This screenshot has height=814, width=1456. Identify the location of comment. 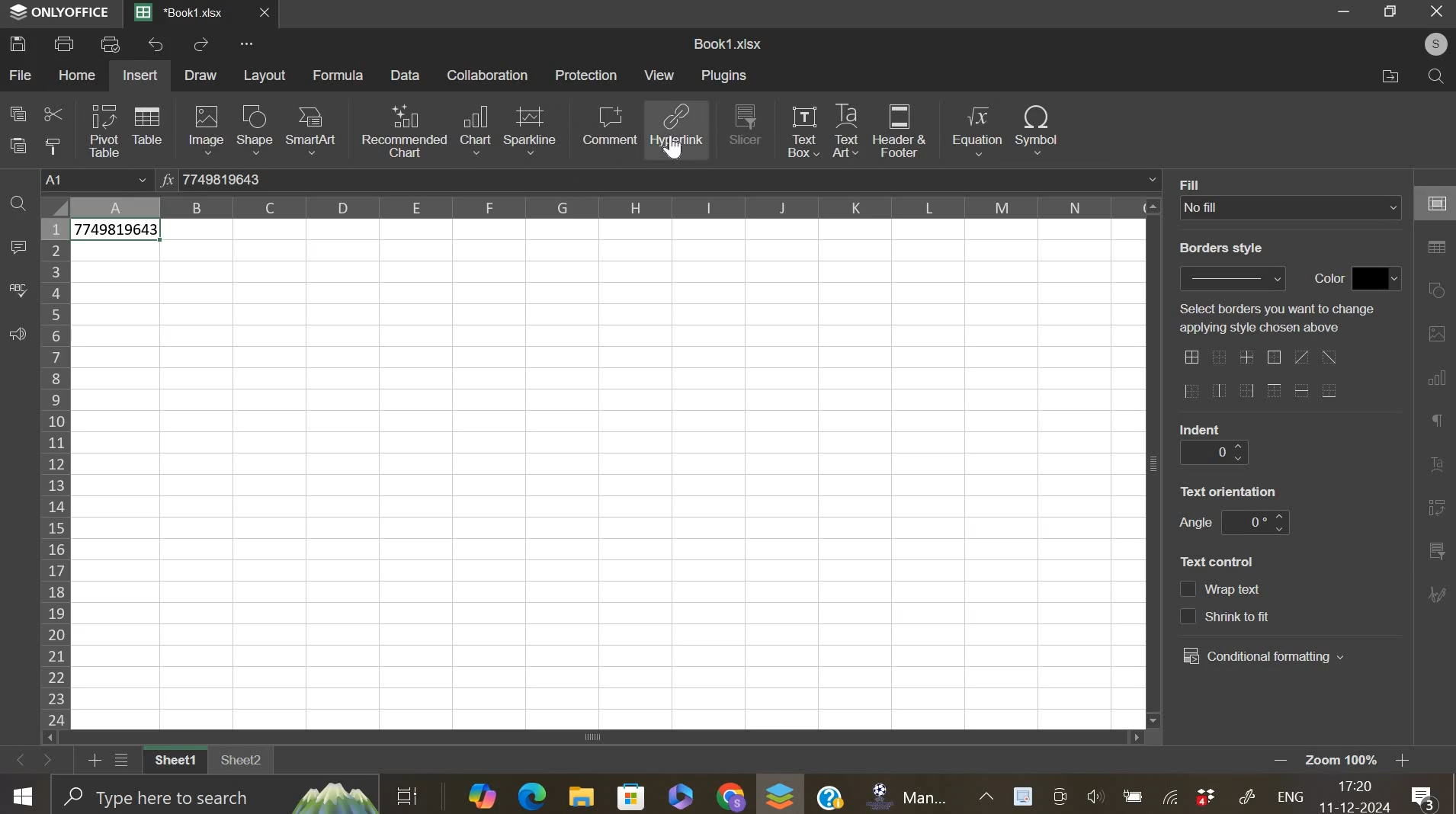
(18, 248).